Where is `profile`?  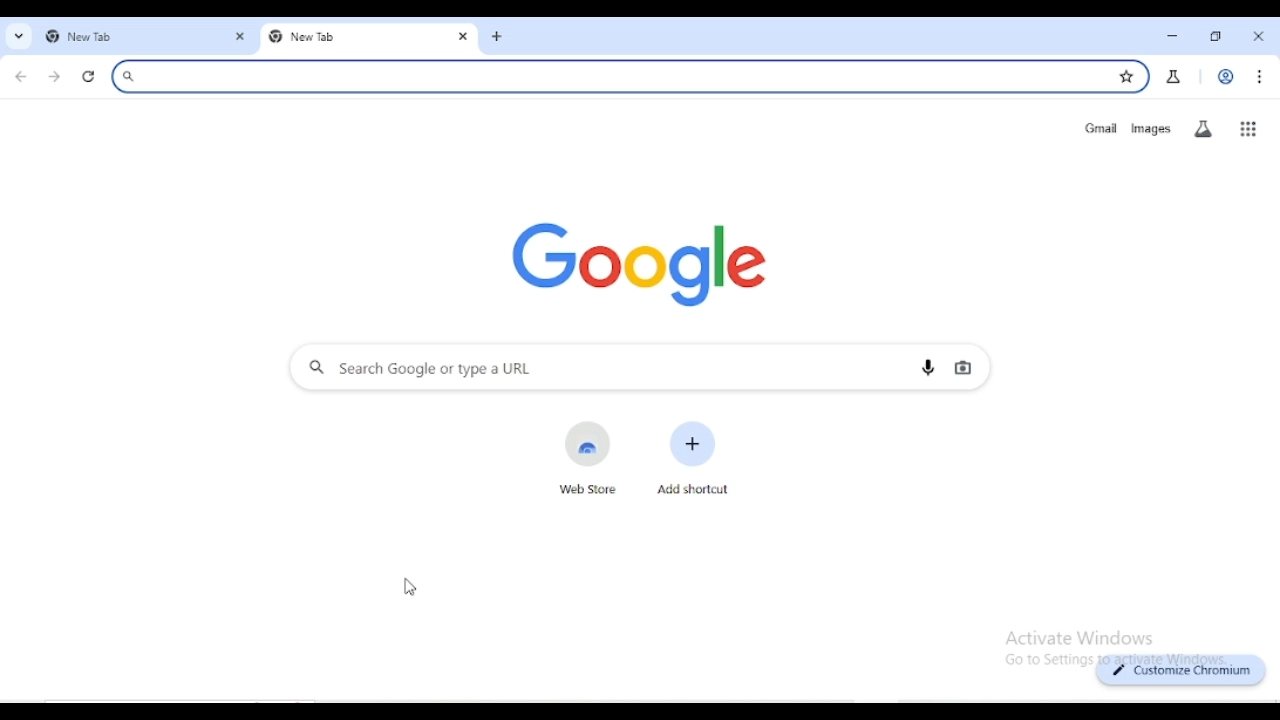 profile is located at coordinates (1224, 76).